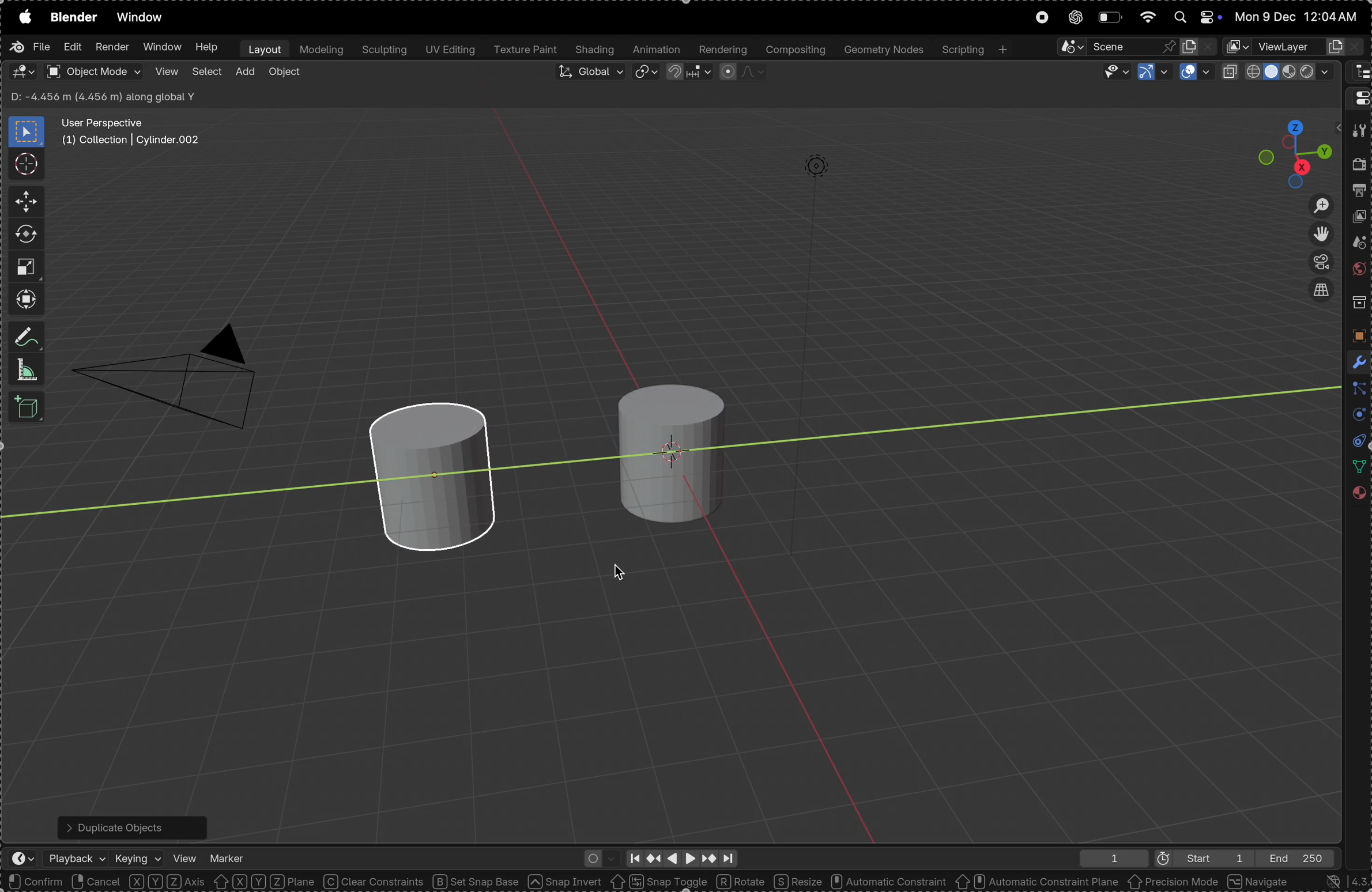  I want to click on out put, so click(1359, 192).